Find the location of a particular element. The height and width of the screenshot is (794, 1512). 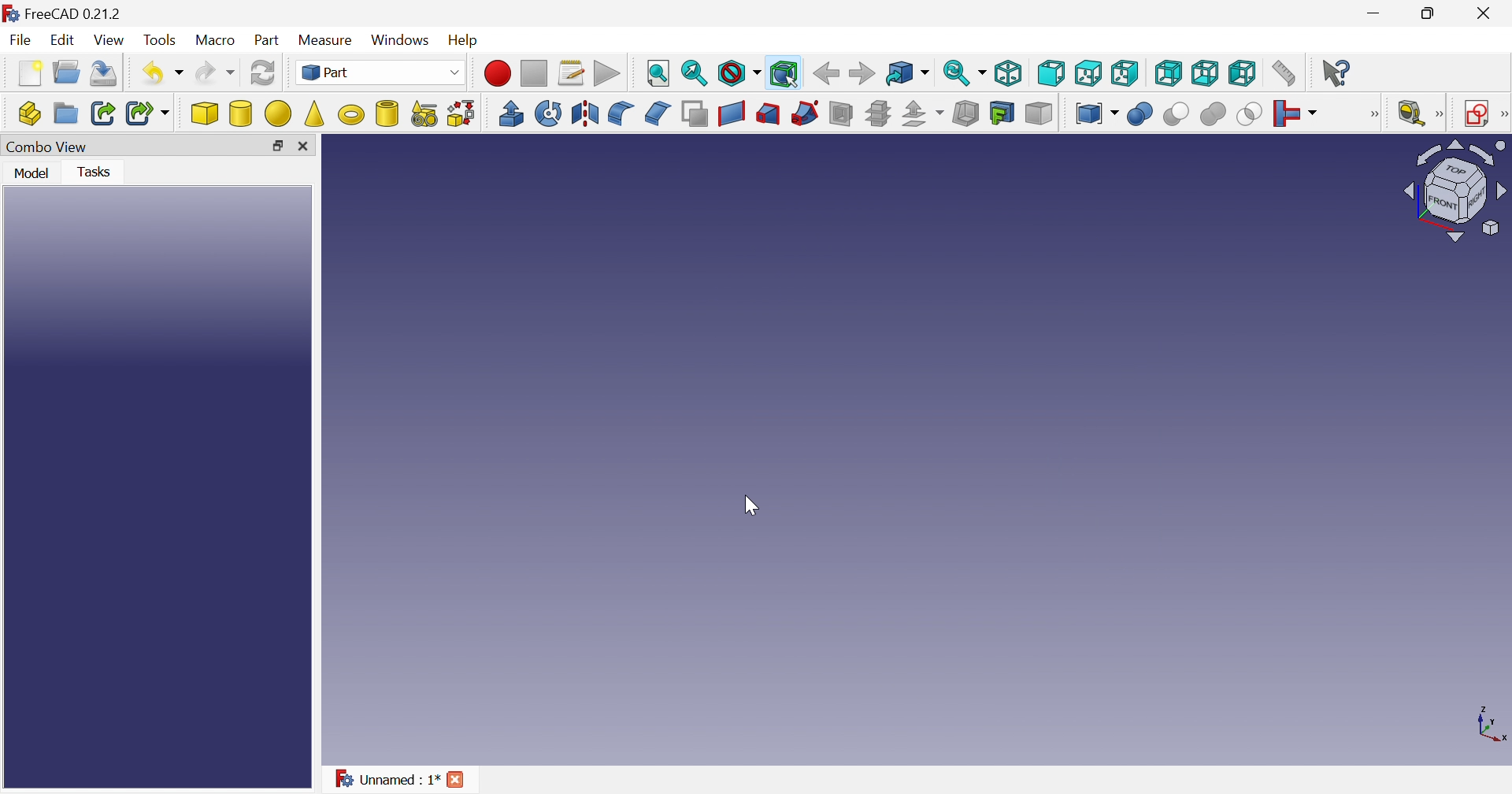

Color per face is located at coordinates (1037, 113).